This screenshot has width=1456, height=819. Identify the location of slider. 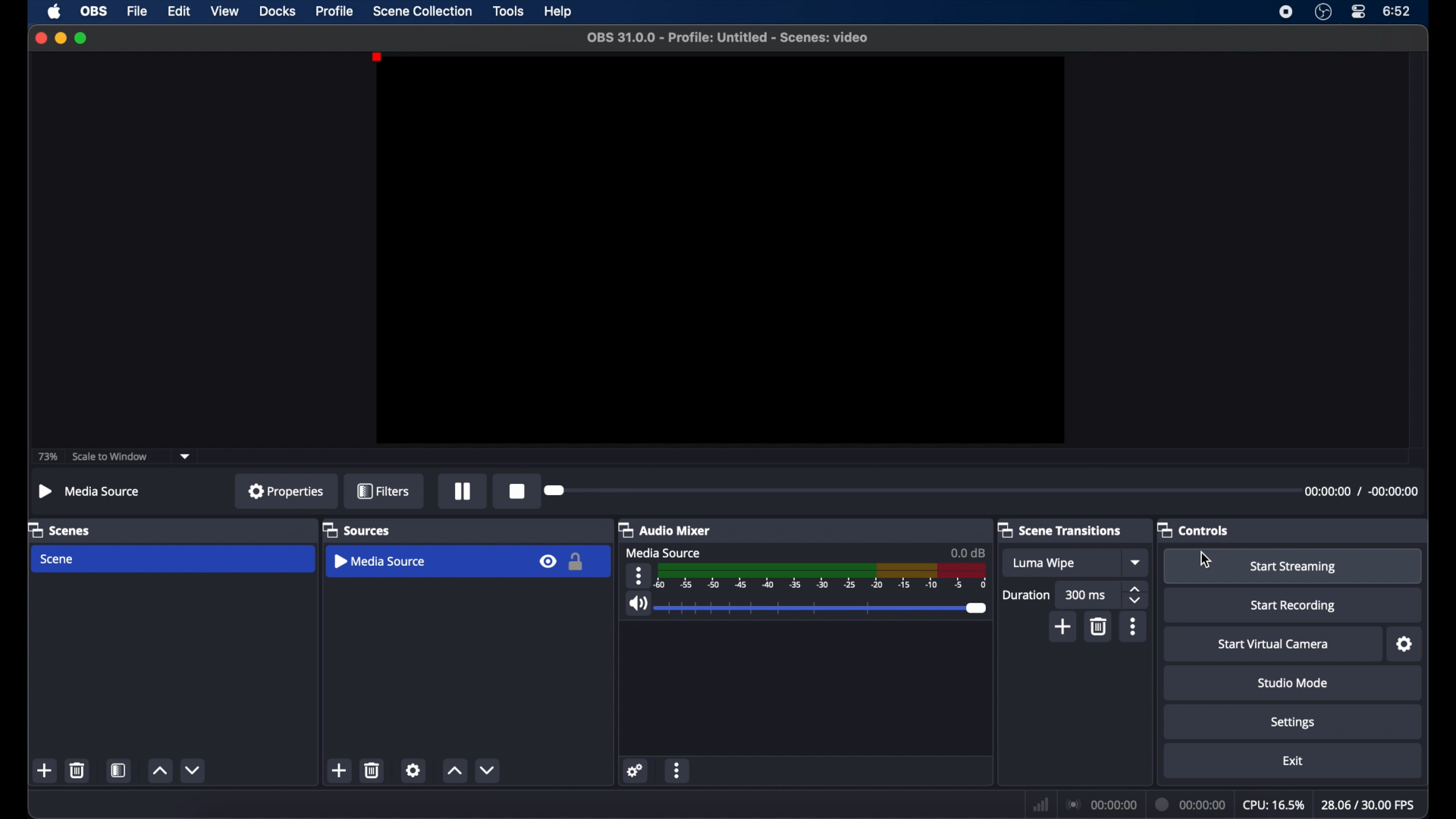
(557, 491).